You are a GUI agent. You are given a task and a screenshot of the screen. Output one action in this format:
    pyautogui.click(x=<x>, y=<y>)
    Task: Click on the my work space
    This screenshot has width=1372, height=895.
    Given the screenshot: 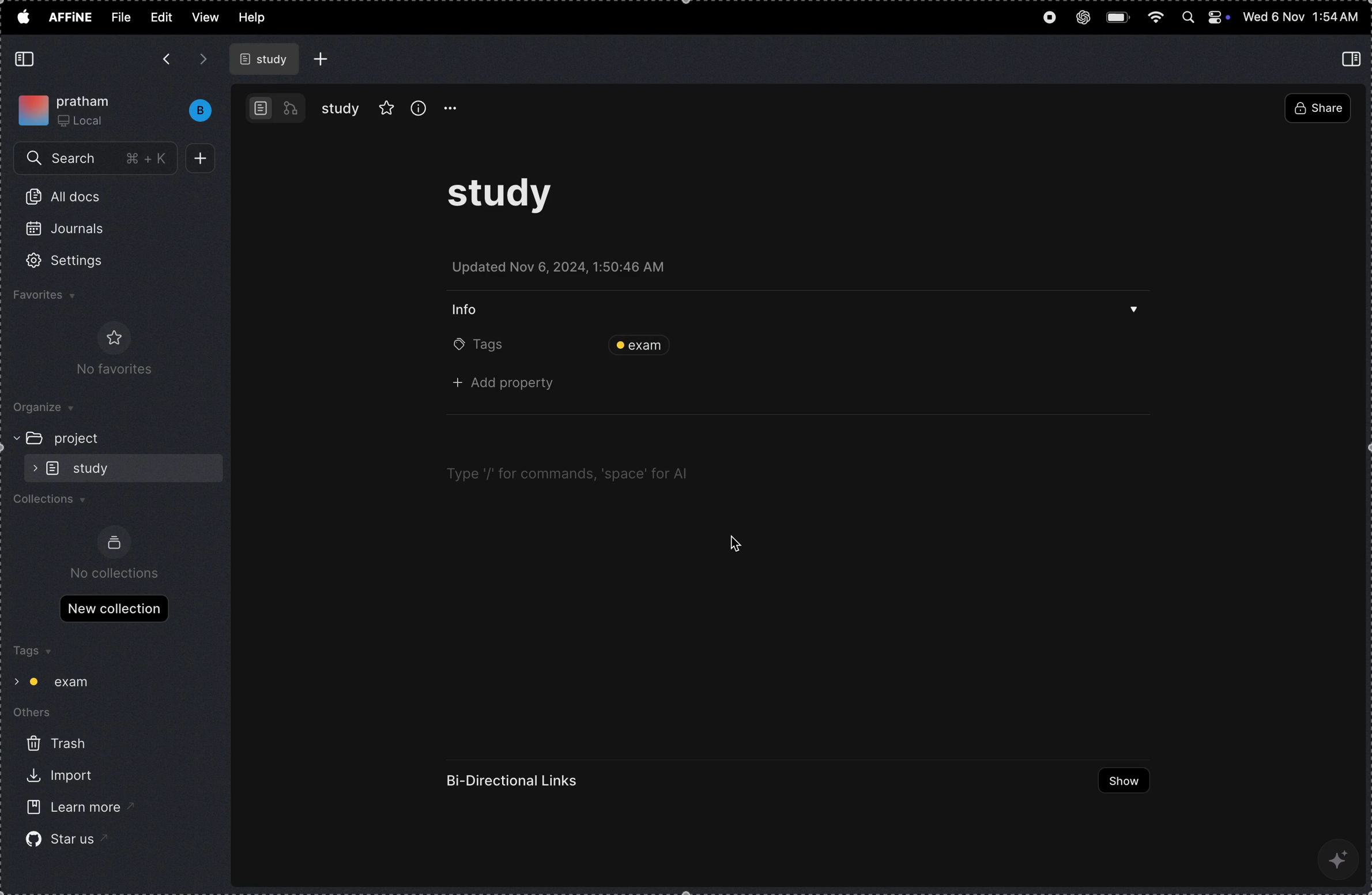 What is the action you would take?
    pyautogui.click(x=69, y=108)
    